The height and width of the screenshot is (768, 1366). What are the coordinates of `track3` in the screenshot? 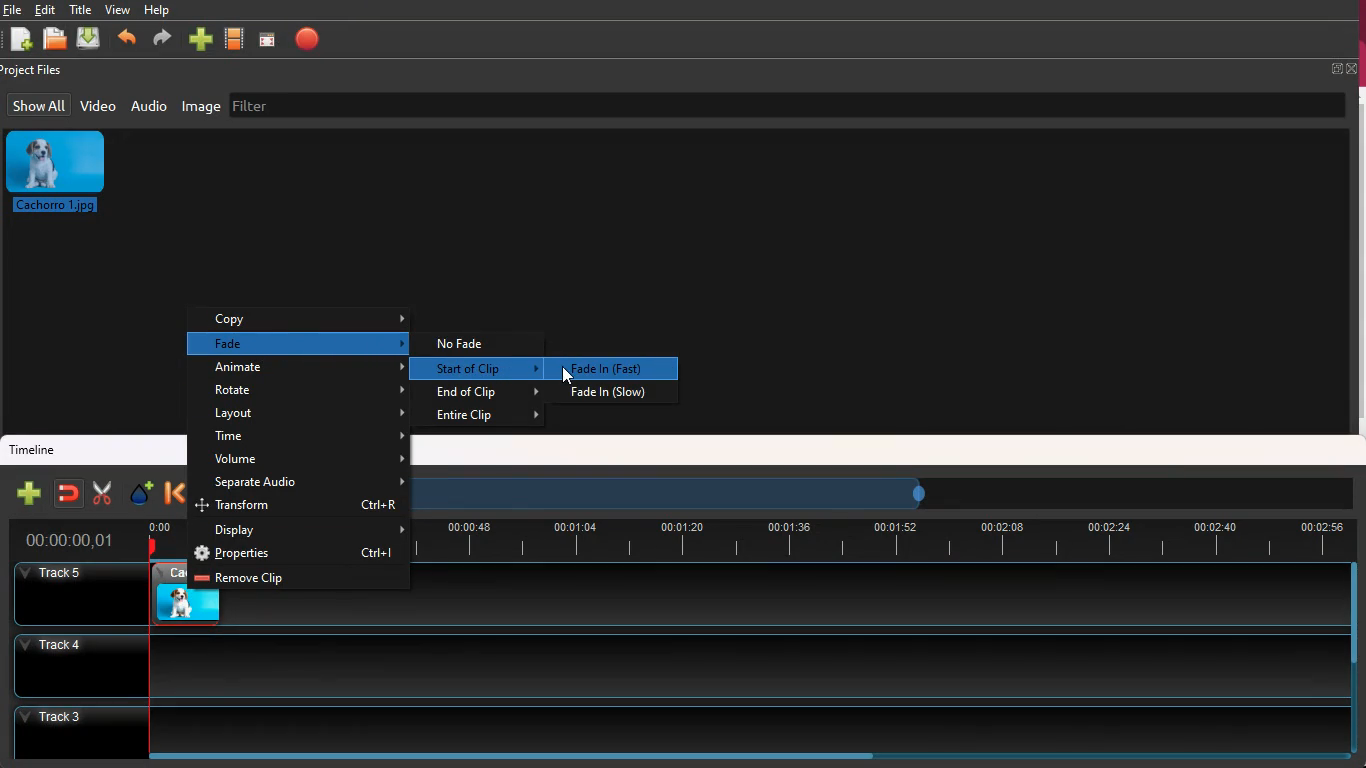 It's located at (676, 725).